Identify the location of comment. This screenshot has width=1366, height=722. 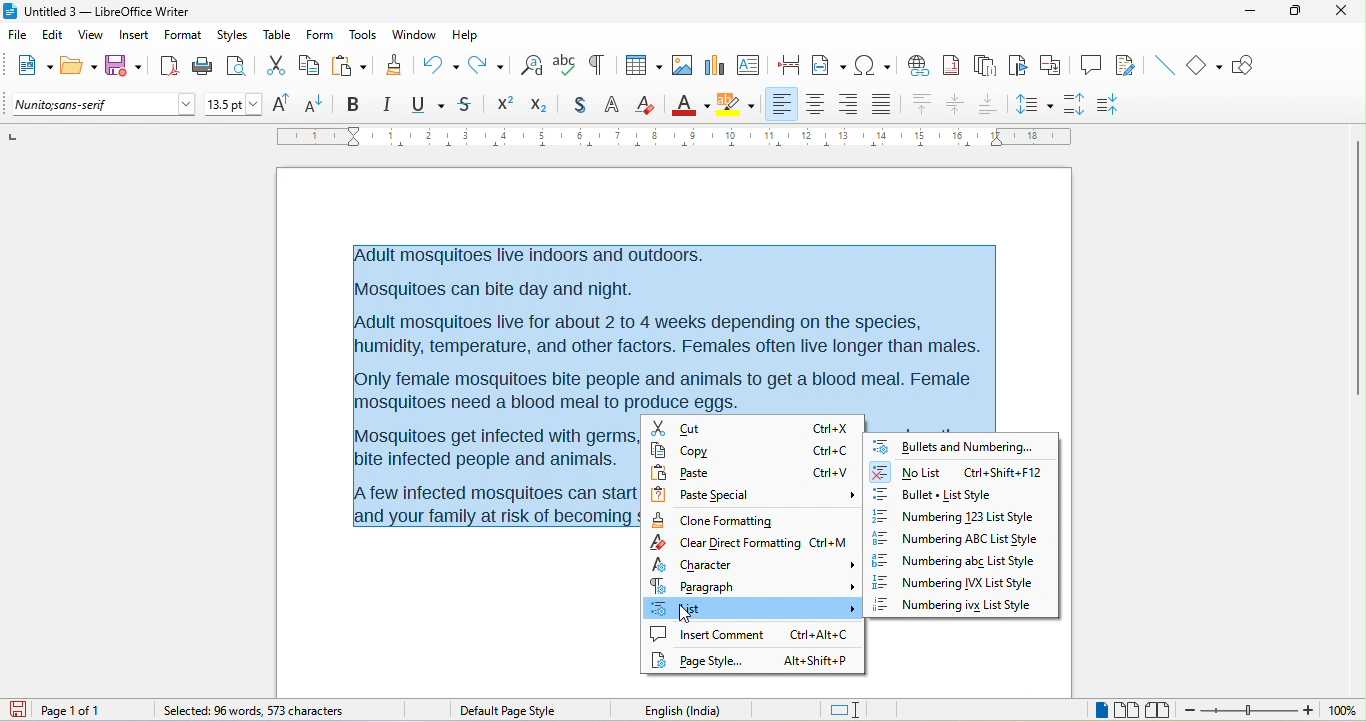
(1092, 66).